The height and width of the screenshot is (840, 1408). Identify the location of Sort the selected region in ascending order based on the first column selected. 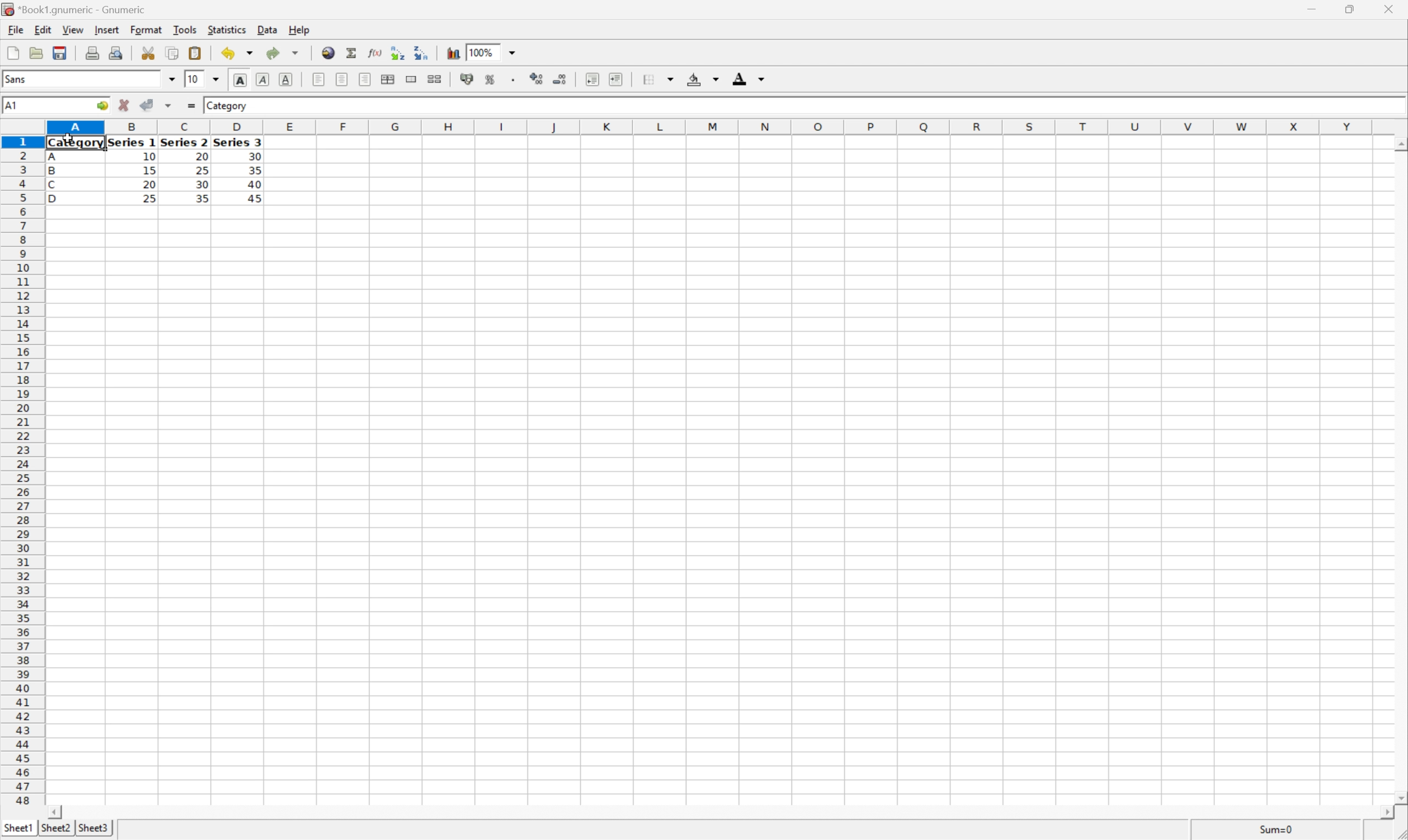
(397, 53).